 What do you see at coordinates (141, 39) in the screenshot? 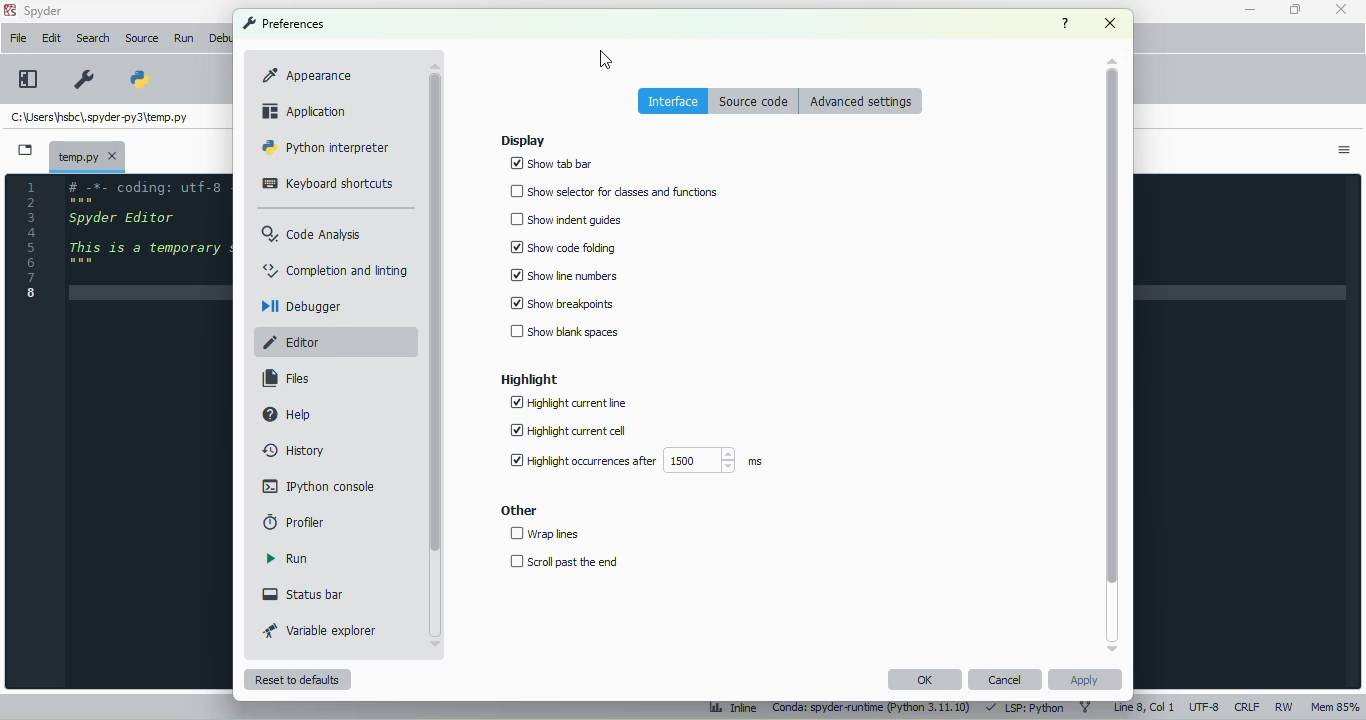
I see `source` at bounding box center [141, 39].